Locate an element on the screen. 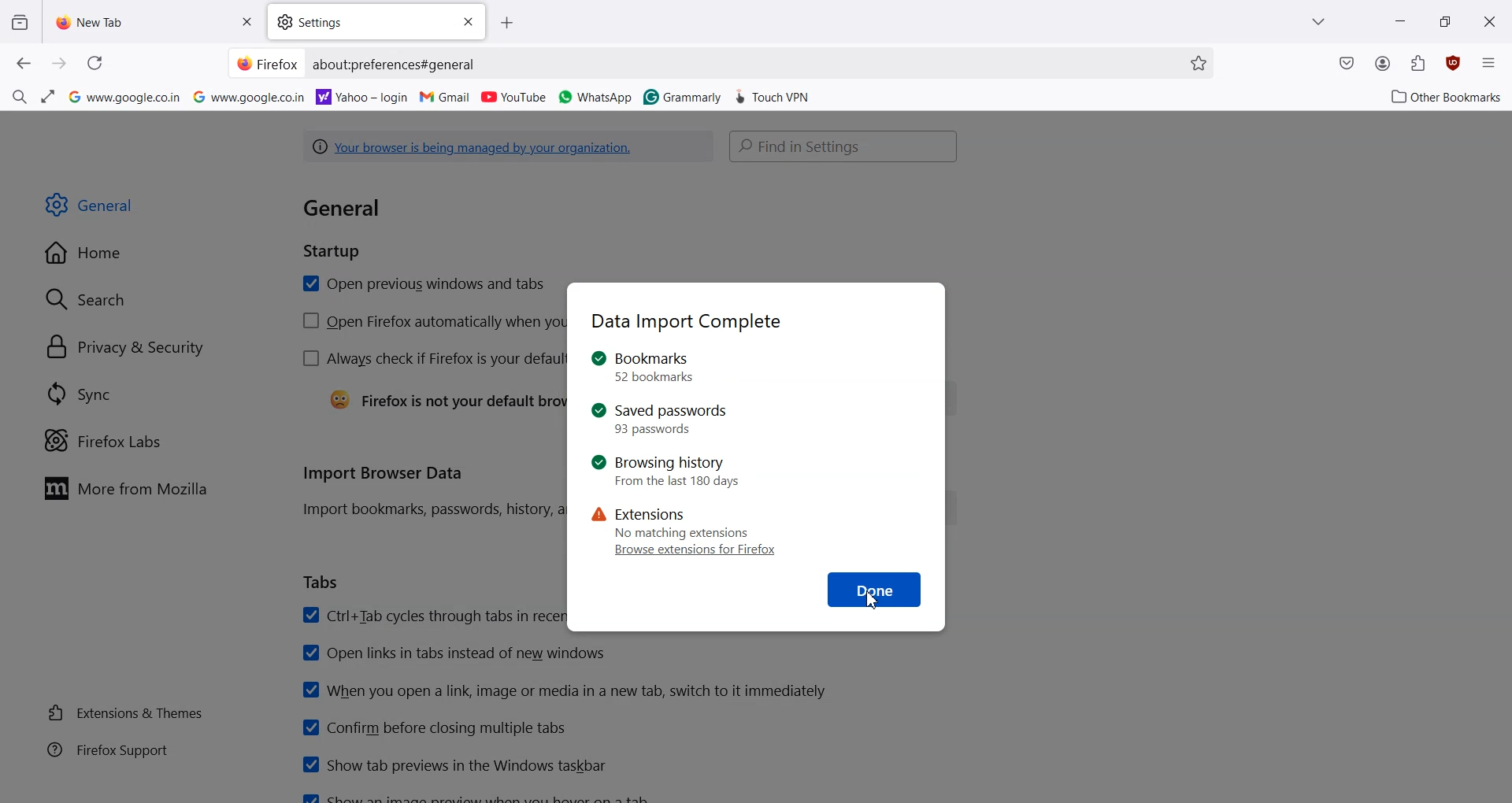 The width and height of the screenshot is (1512, 803). Saved Passwords is located at coordinates (660, 418).